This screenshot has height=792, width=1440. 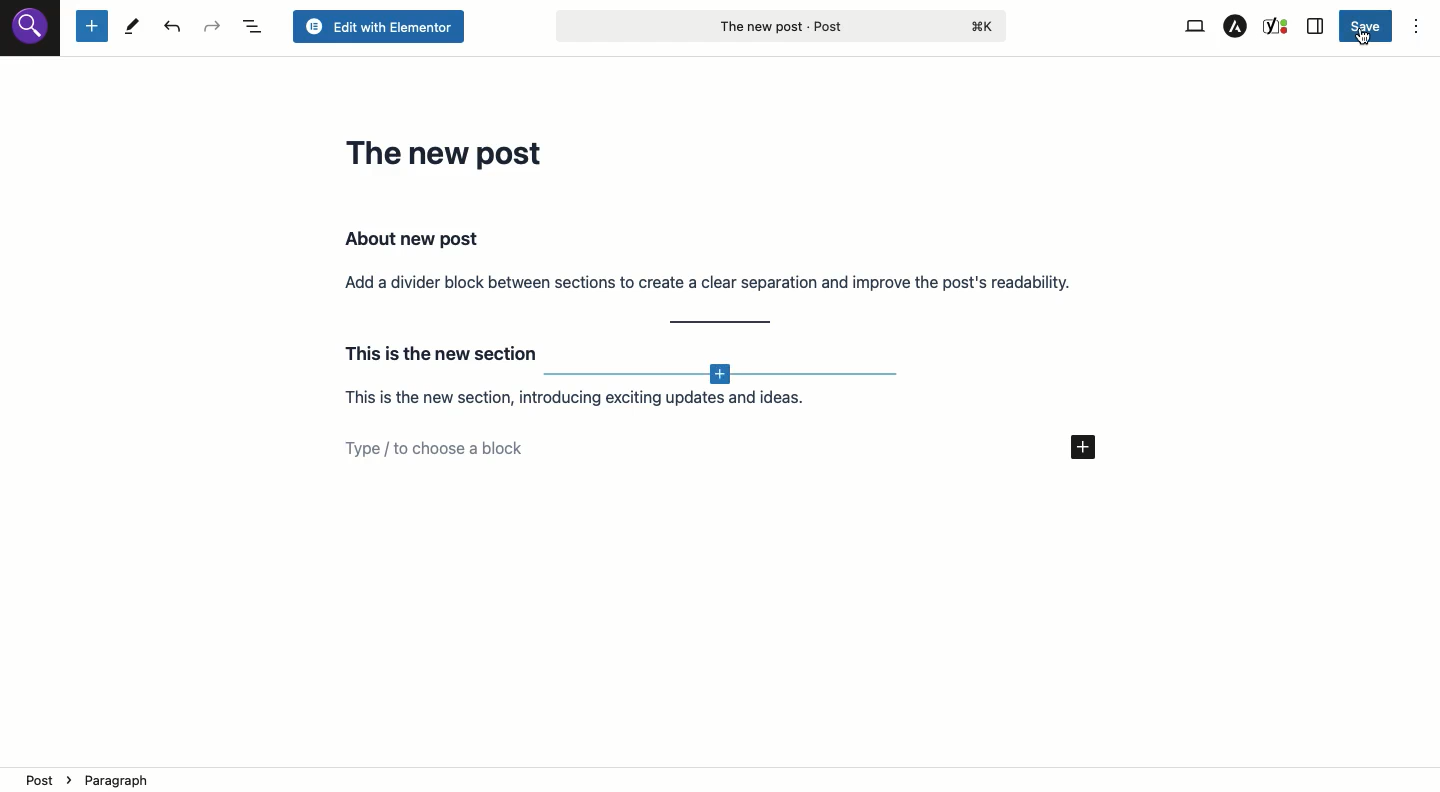 I want to click on Section 1, so click(x=709, y=259).